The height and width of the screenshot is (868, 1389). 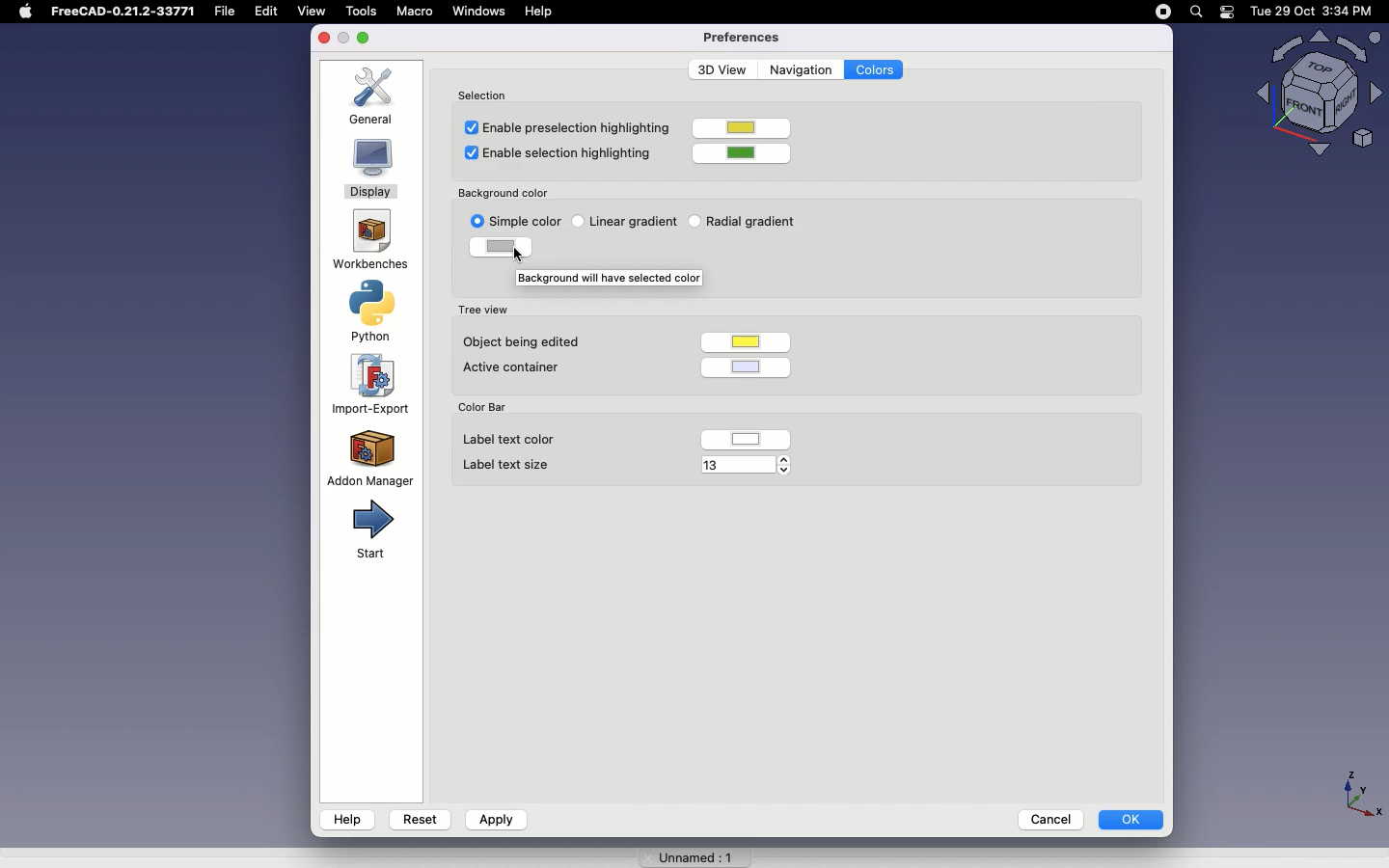 I want to click on Import-Export, so click(x=374, y=385).